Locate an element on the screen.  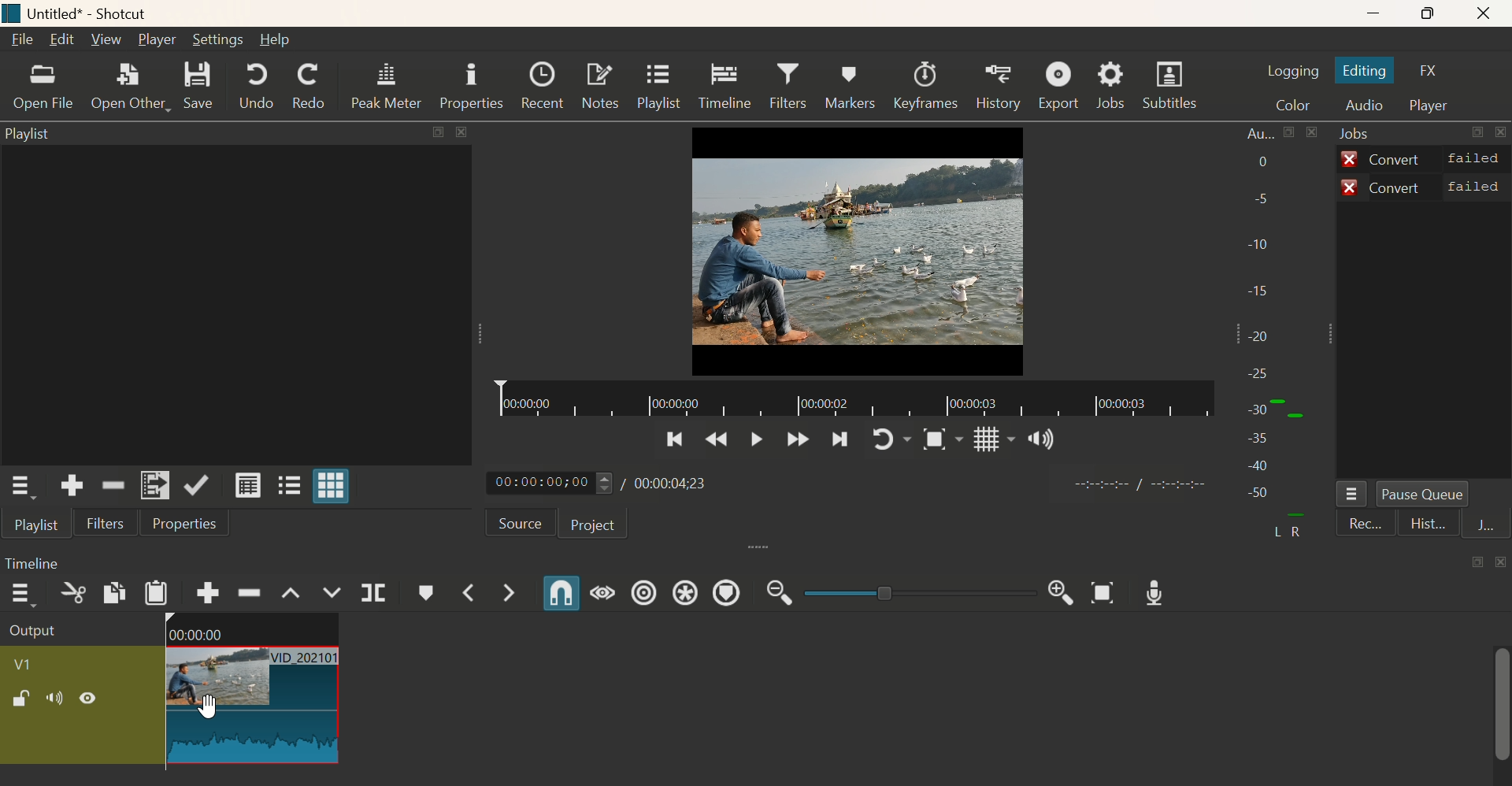
Properties is located at coordinates (470, 87).